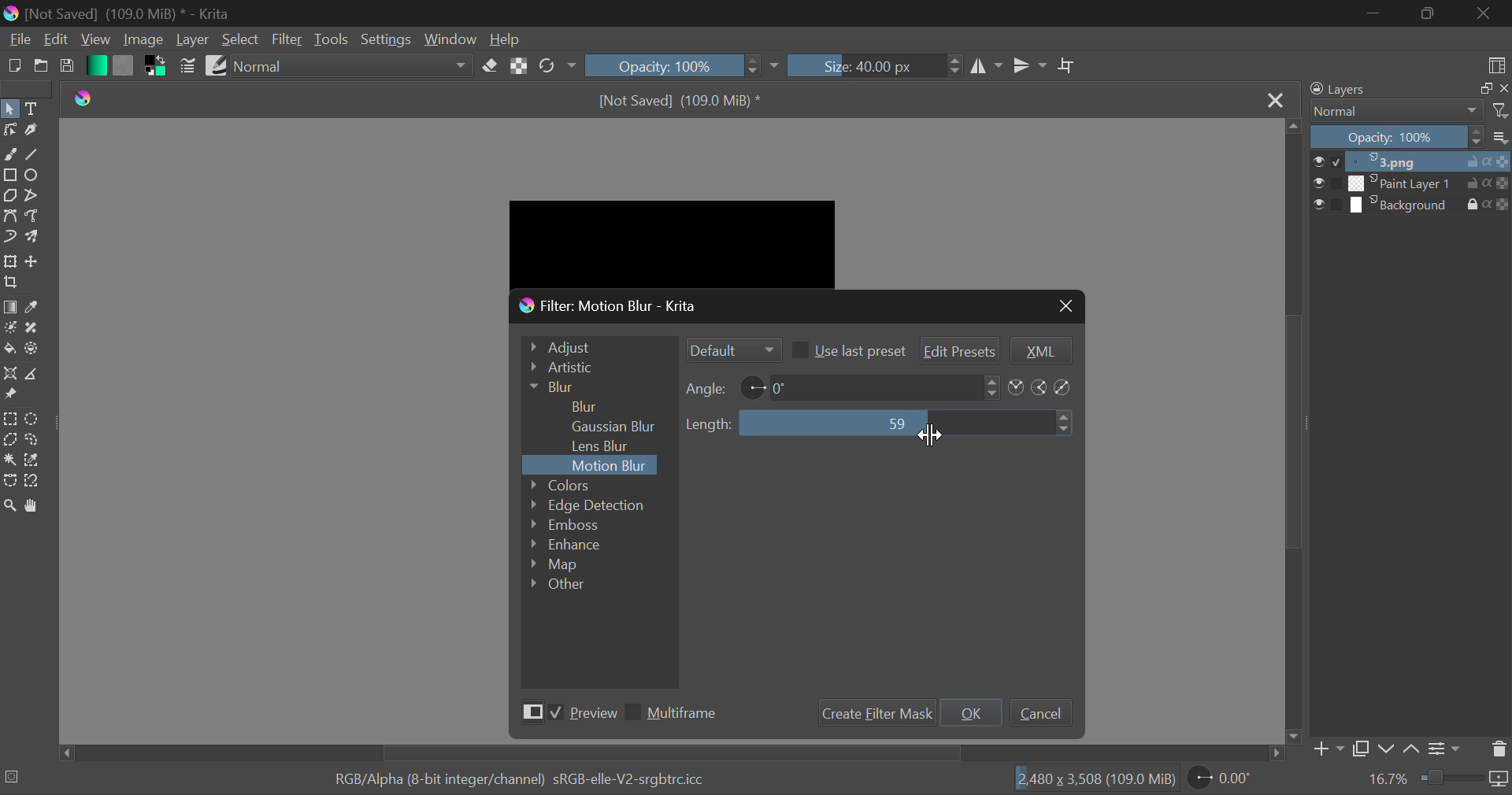 This screenshot has height=795, width=1512. I want to click on Move Layer Down, so click(1386, 749).